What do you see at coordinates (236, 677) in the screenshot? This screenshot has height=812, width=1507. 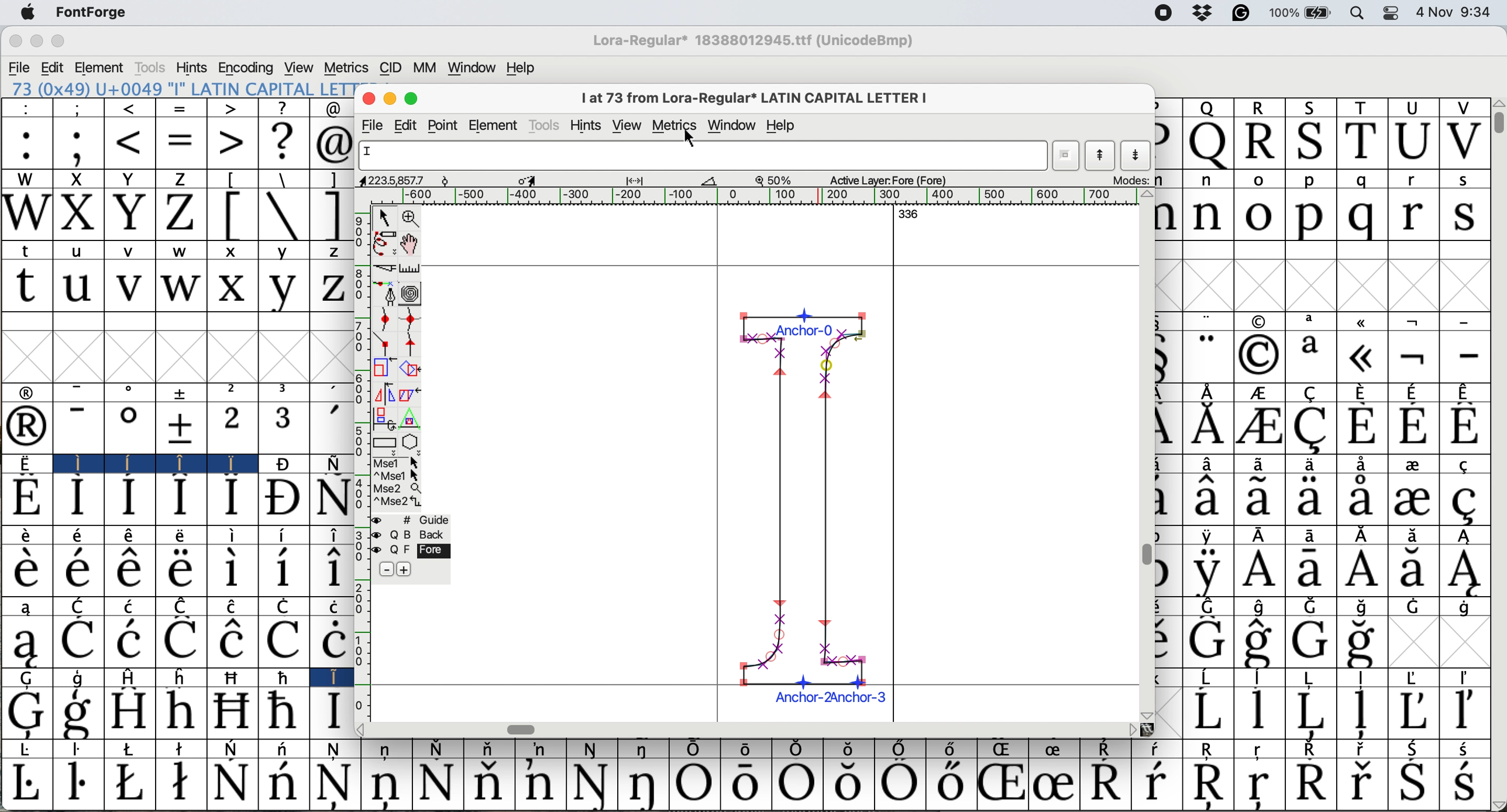 I see `Symbol` at bounding box center [236, 677].